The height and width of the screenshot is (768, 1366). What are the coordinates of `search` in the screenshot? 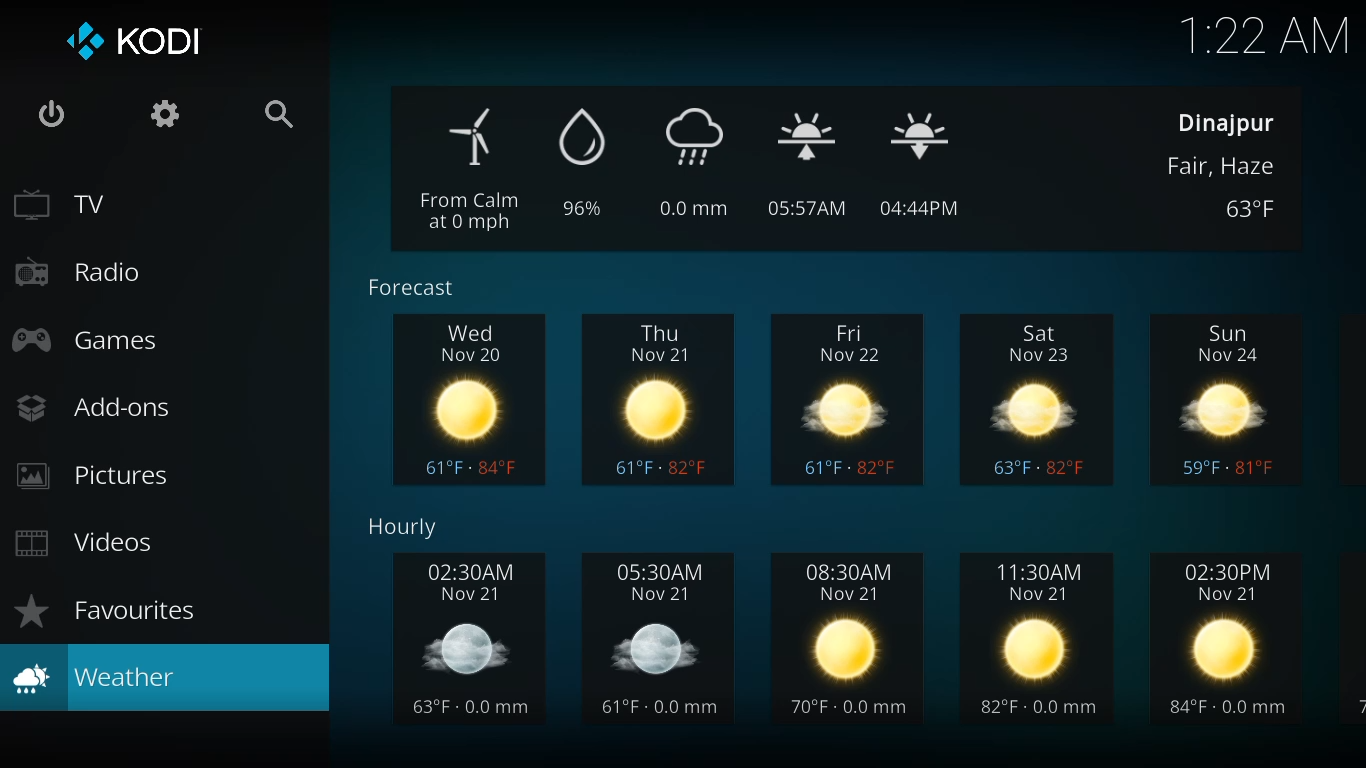 It's located at (279, 114).